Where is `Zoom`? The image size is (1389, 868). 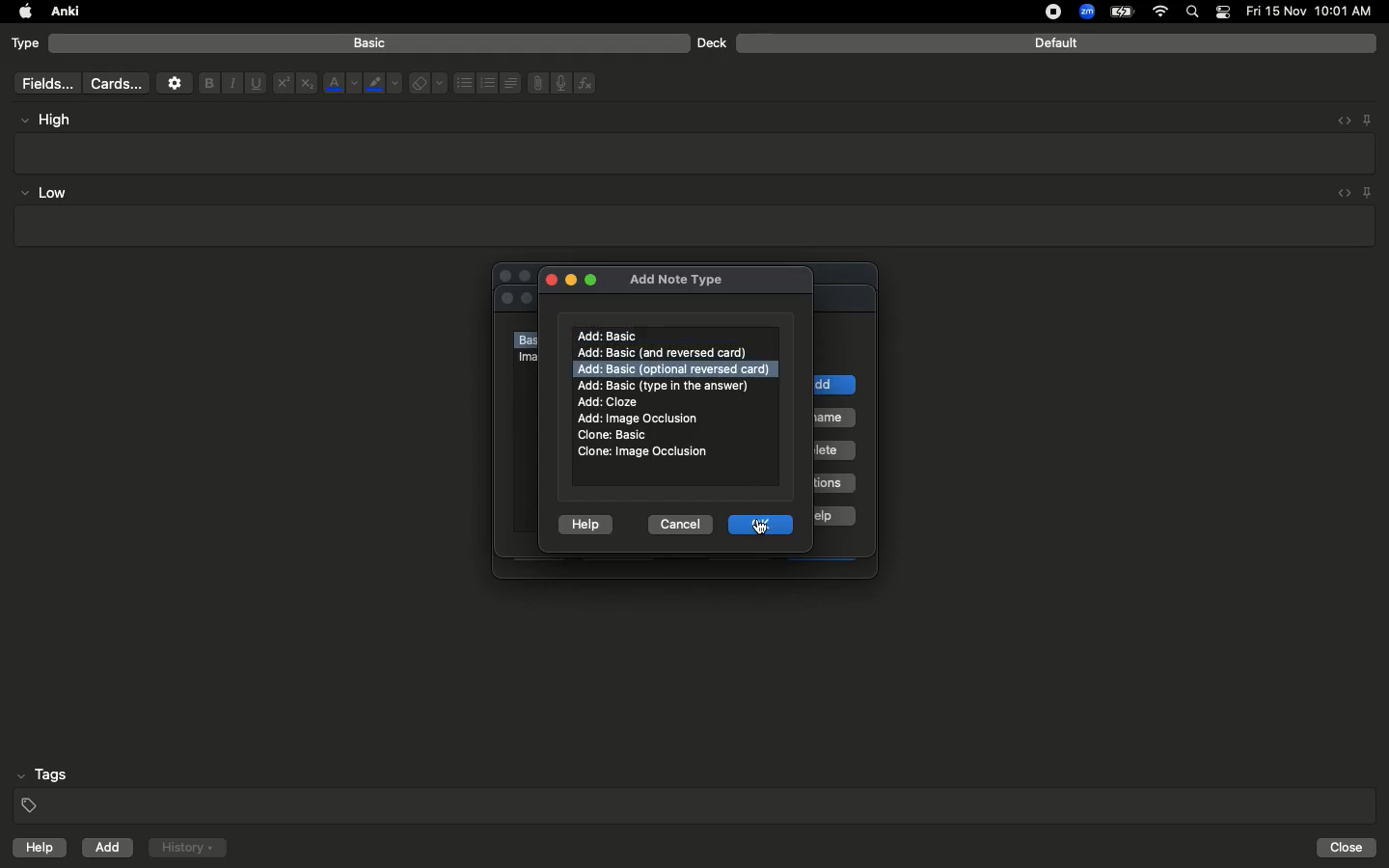 Zoom is located at coordinates (1085, 13).